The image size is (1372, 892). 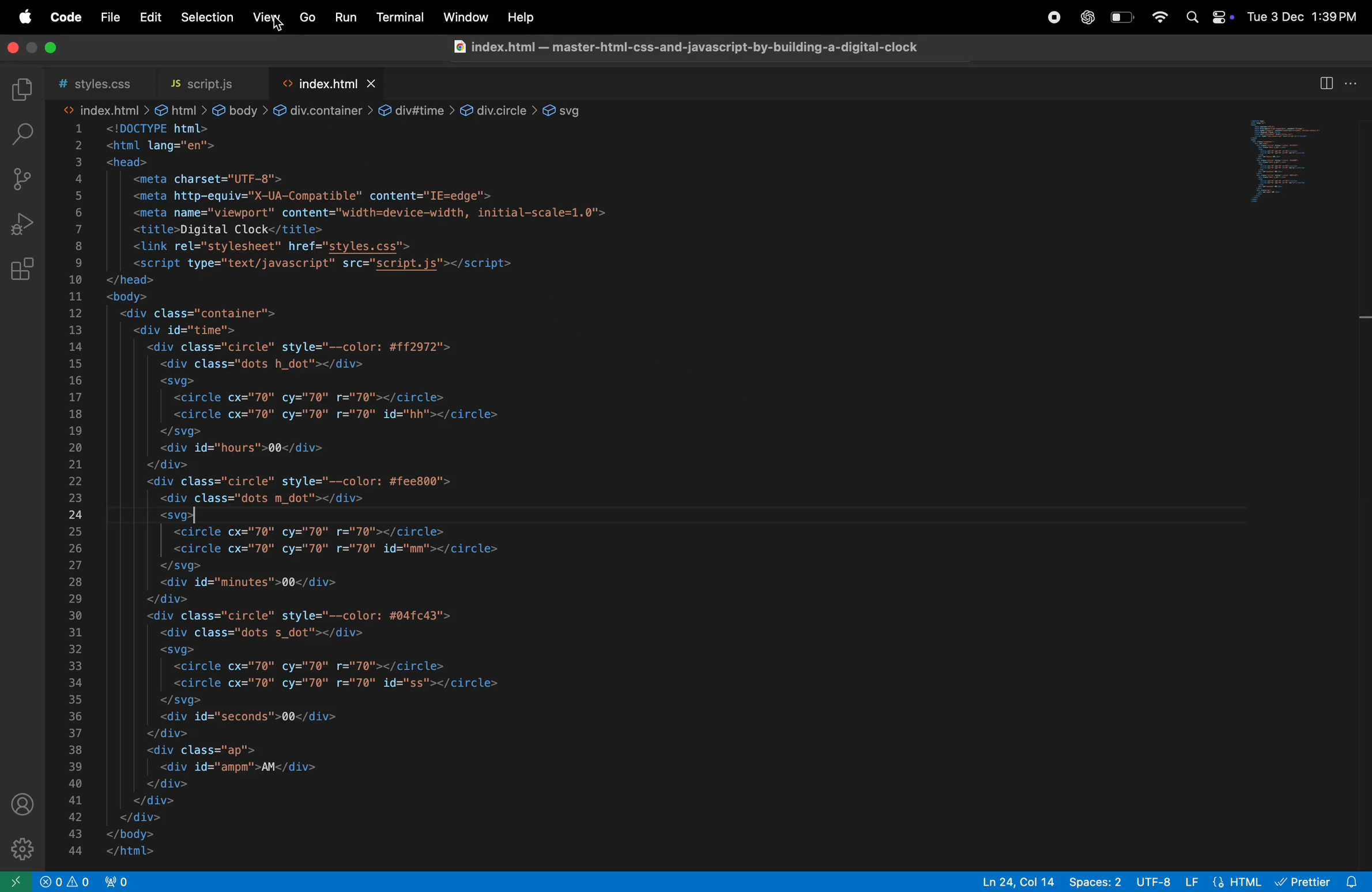 What do you see at coordinates (148, 18) in the screenshot?
I see `edit` at bounding box center [148, 18].